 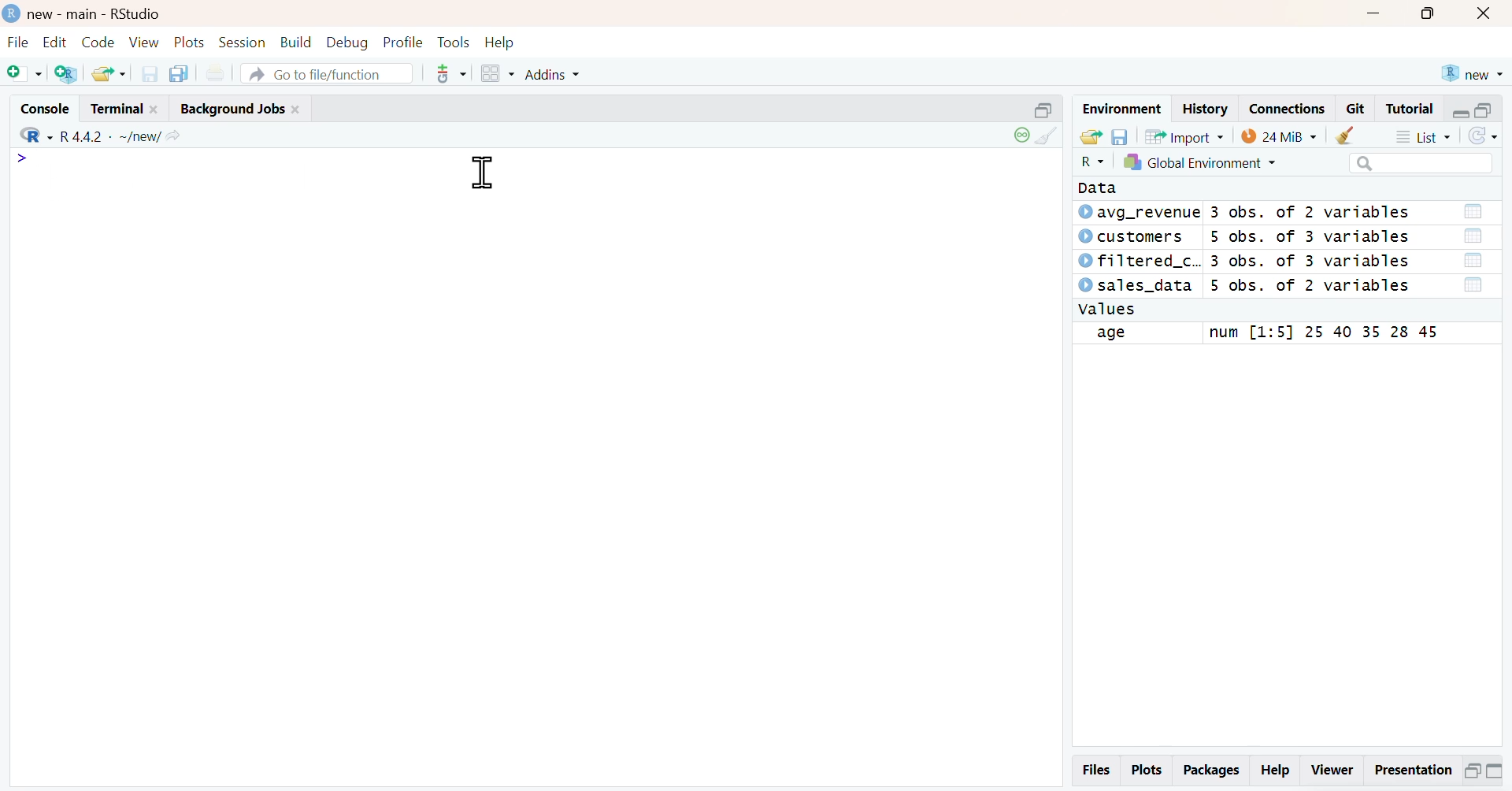 I want to click on Help, so click(x=501, y=43).